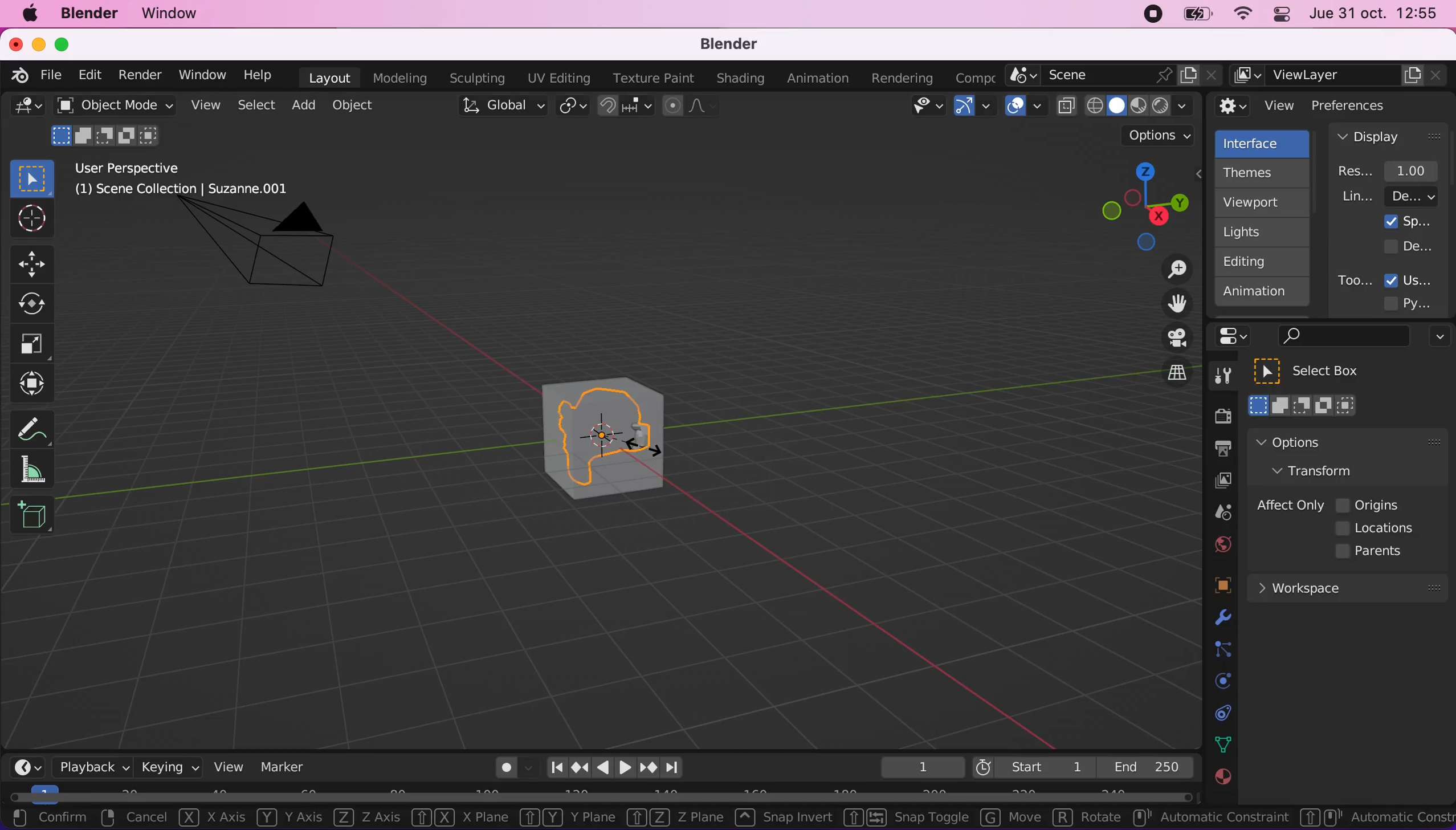 This screenshot has height=830, width=1456. Describe the element at coordinates (1141, 206) in the screenshot. I see `click, shortcut, drag` at that location.